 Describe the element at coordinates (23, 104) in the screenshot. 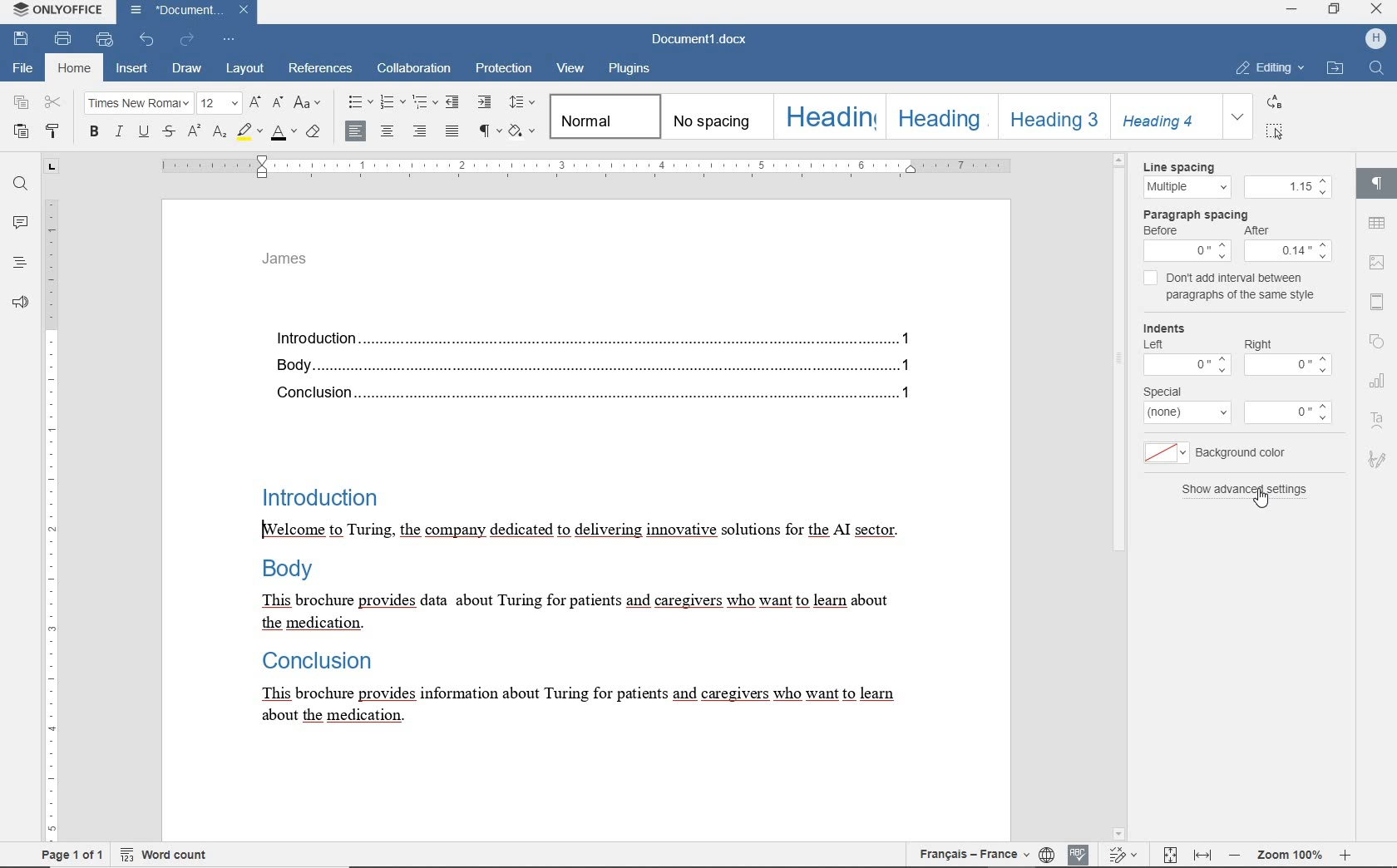

I see `copy` at that location.